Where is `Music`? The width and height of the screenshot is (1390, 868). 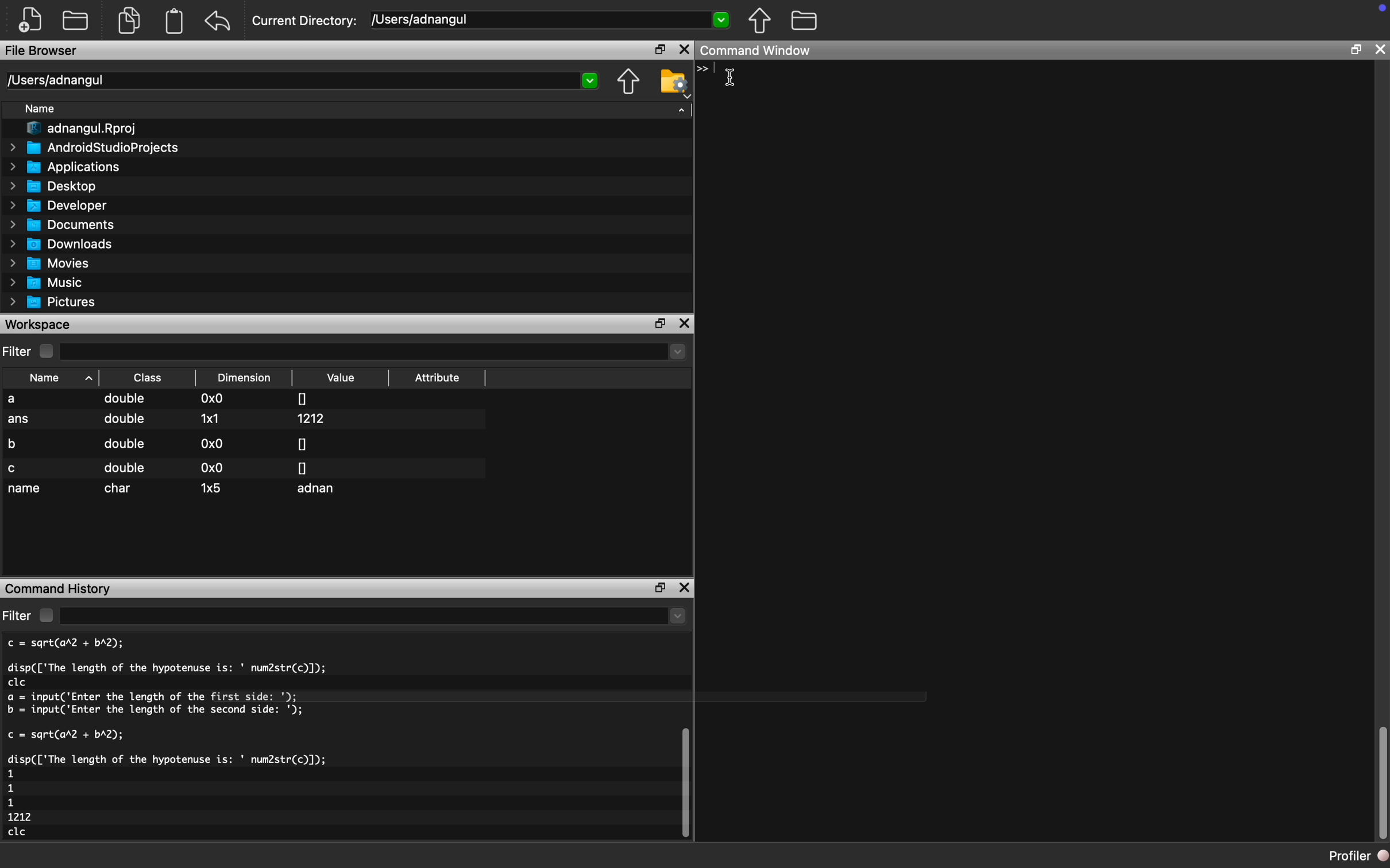
Music is located at coordinates (53, 283).